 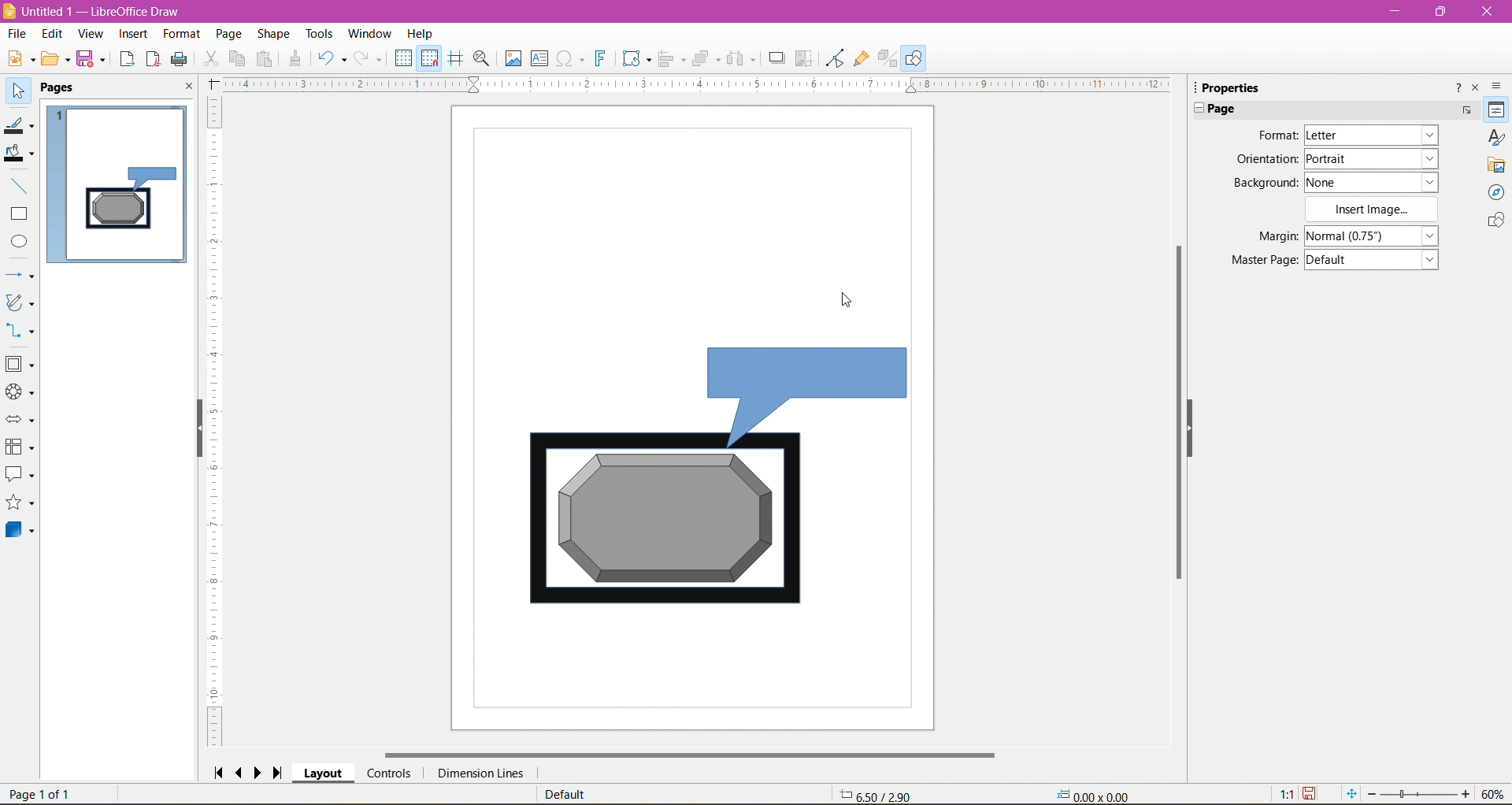 What do you see at coordinates (108, 10) in the screenshot?
I see `Untitled 1-LibreOffice Draw` at bounding box center [108, 10].